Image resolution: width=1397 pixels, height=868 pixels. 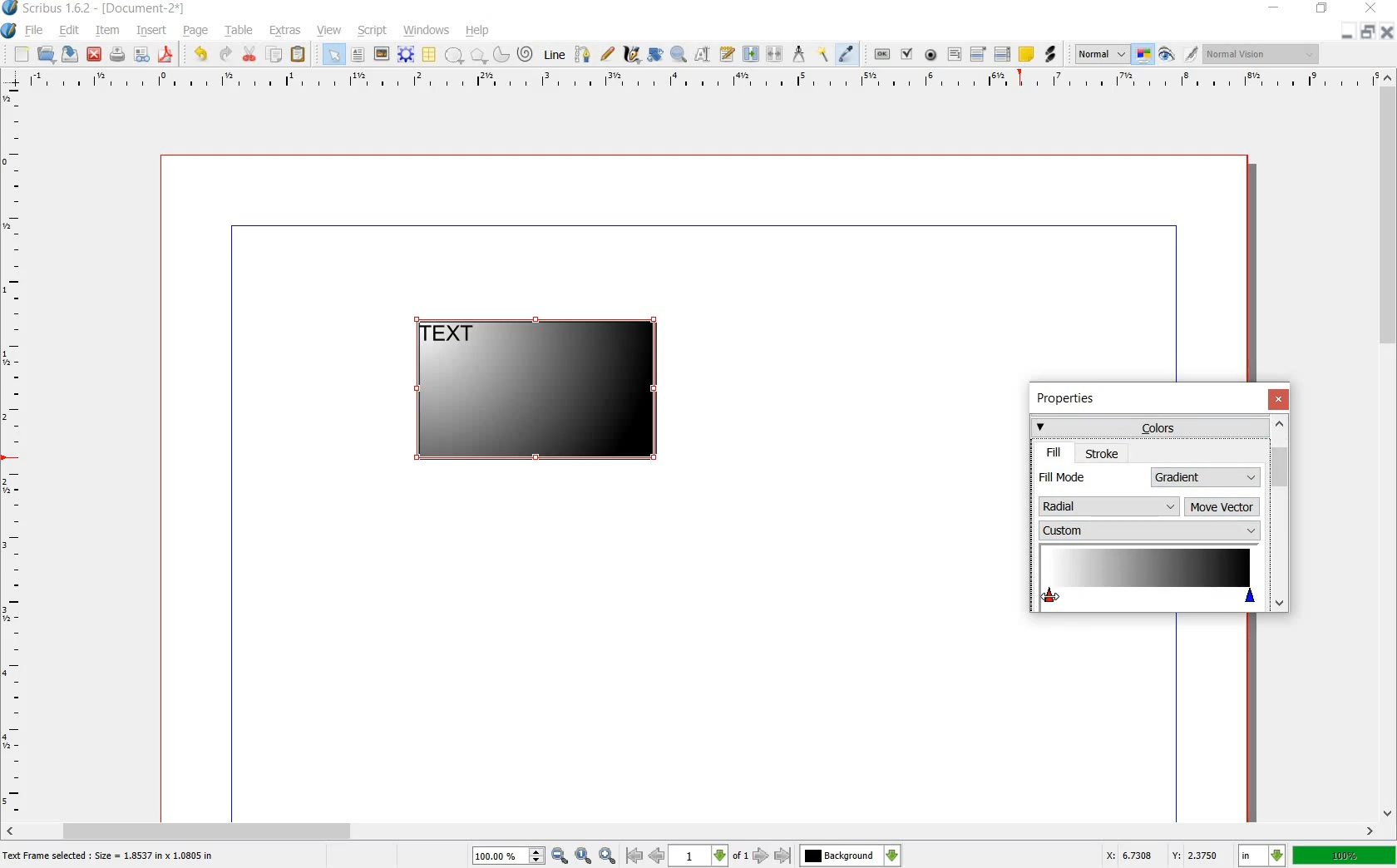 What do you see at coordinates (560, 856) in the screenshot?
I see `zoom out` at bounding box center [560, 856].